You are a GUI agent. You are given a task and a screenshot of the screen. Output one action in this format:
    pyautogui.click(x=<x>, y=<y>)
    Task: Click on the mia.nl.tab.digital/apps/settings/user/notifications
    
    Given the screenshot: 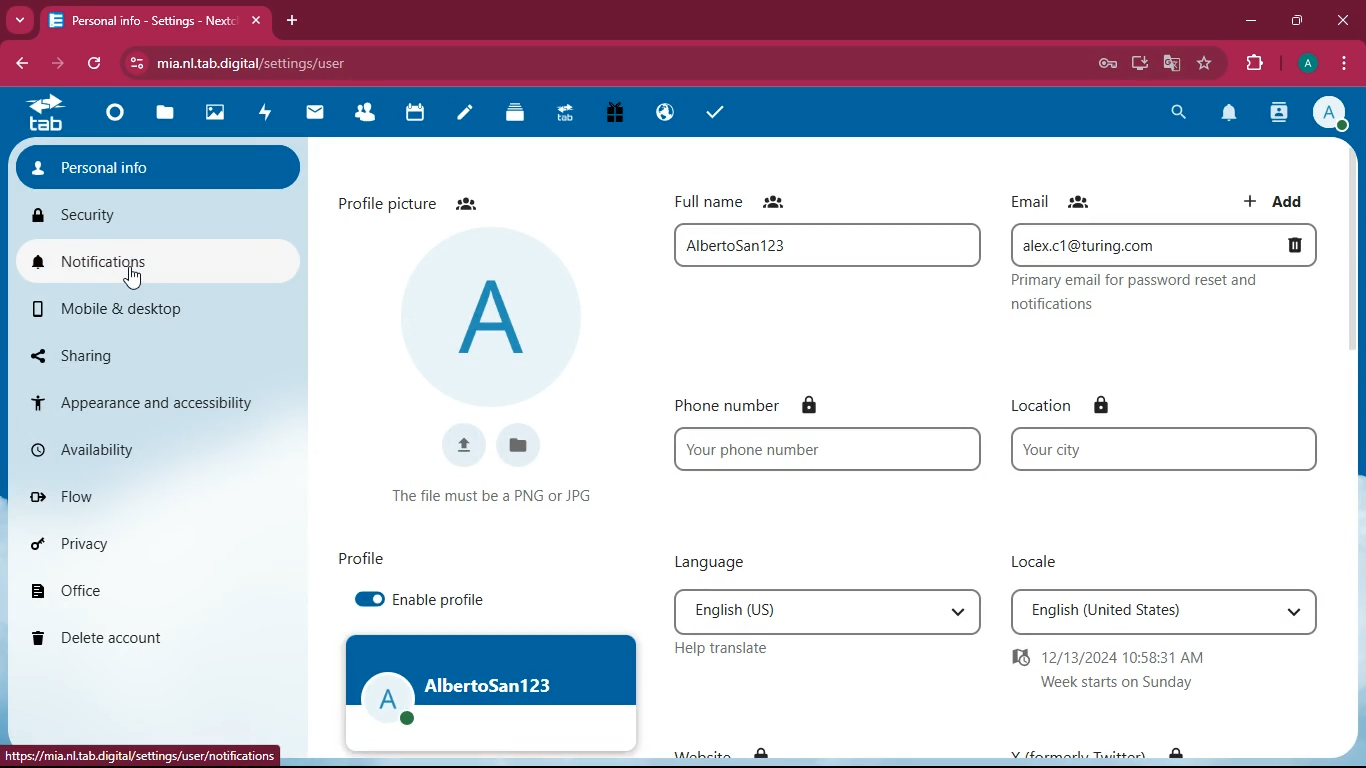 What is the action you would take?
    pyautogui.click(x=139, y=754)
    